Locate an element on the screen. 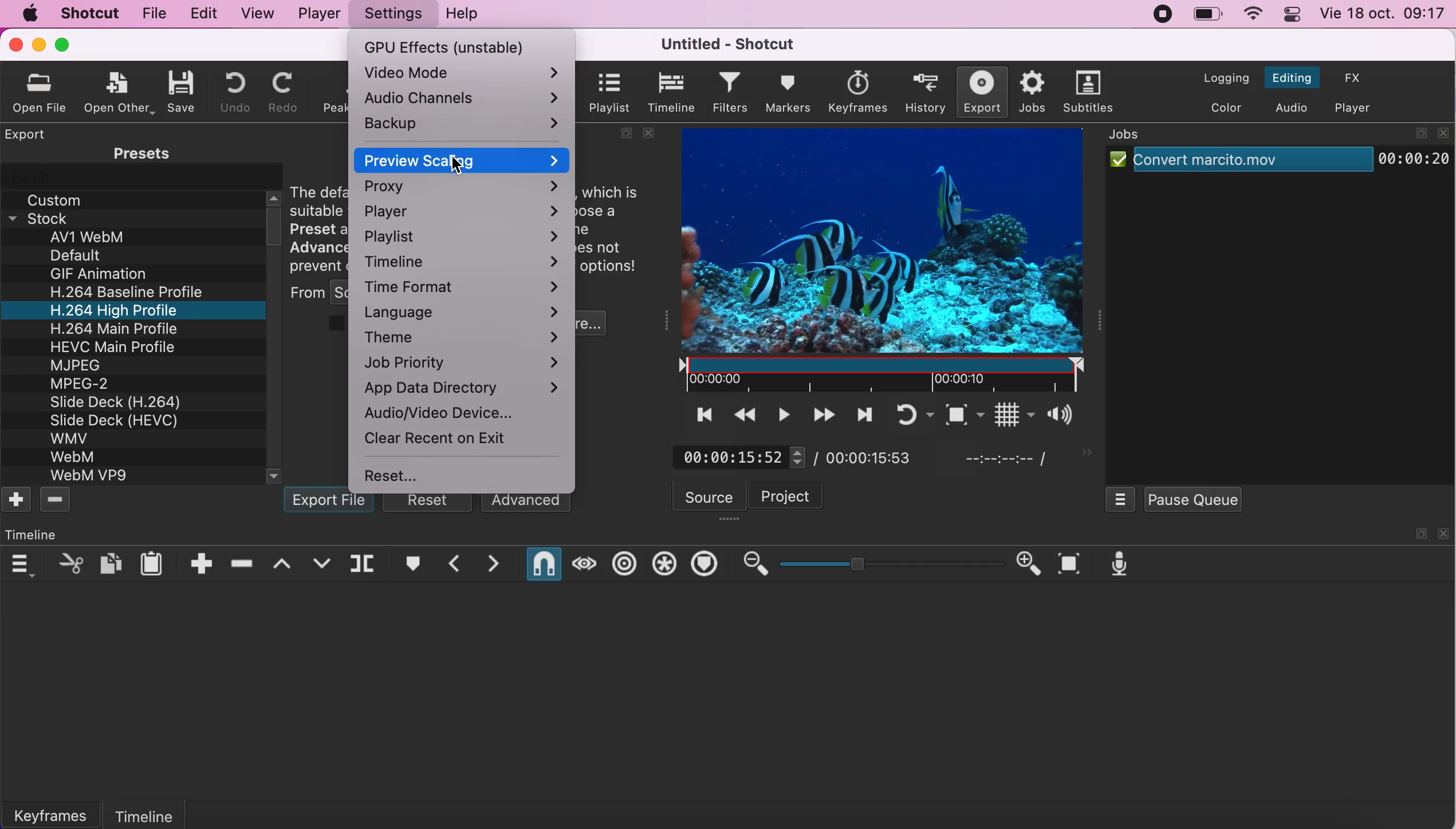 This screenshot has width=1456, height=829. app data directory is located at coordinates (464, 386).